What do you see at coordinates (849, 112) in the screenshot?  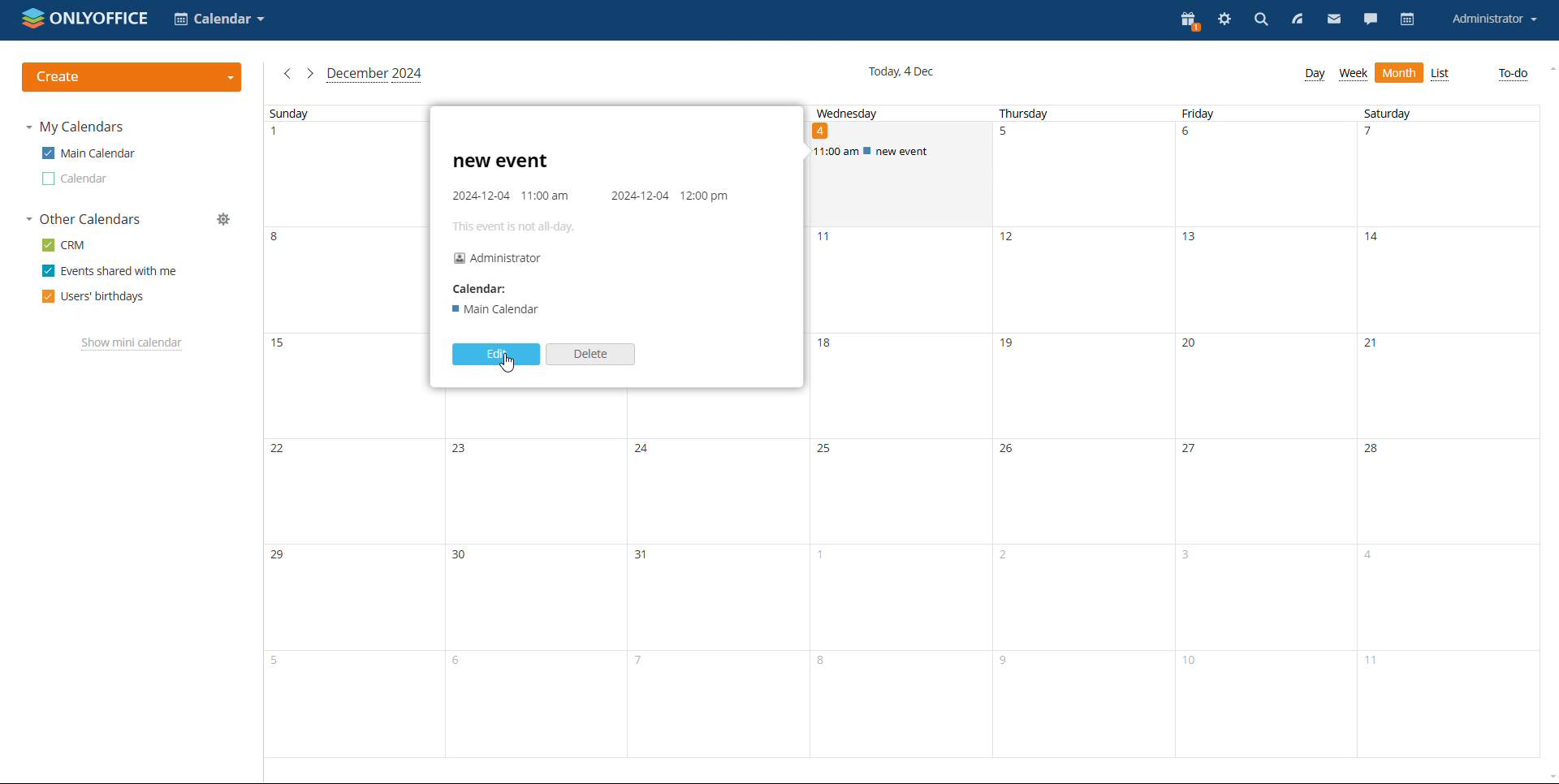 I see `wednesday` at bounding box center [849, 112].